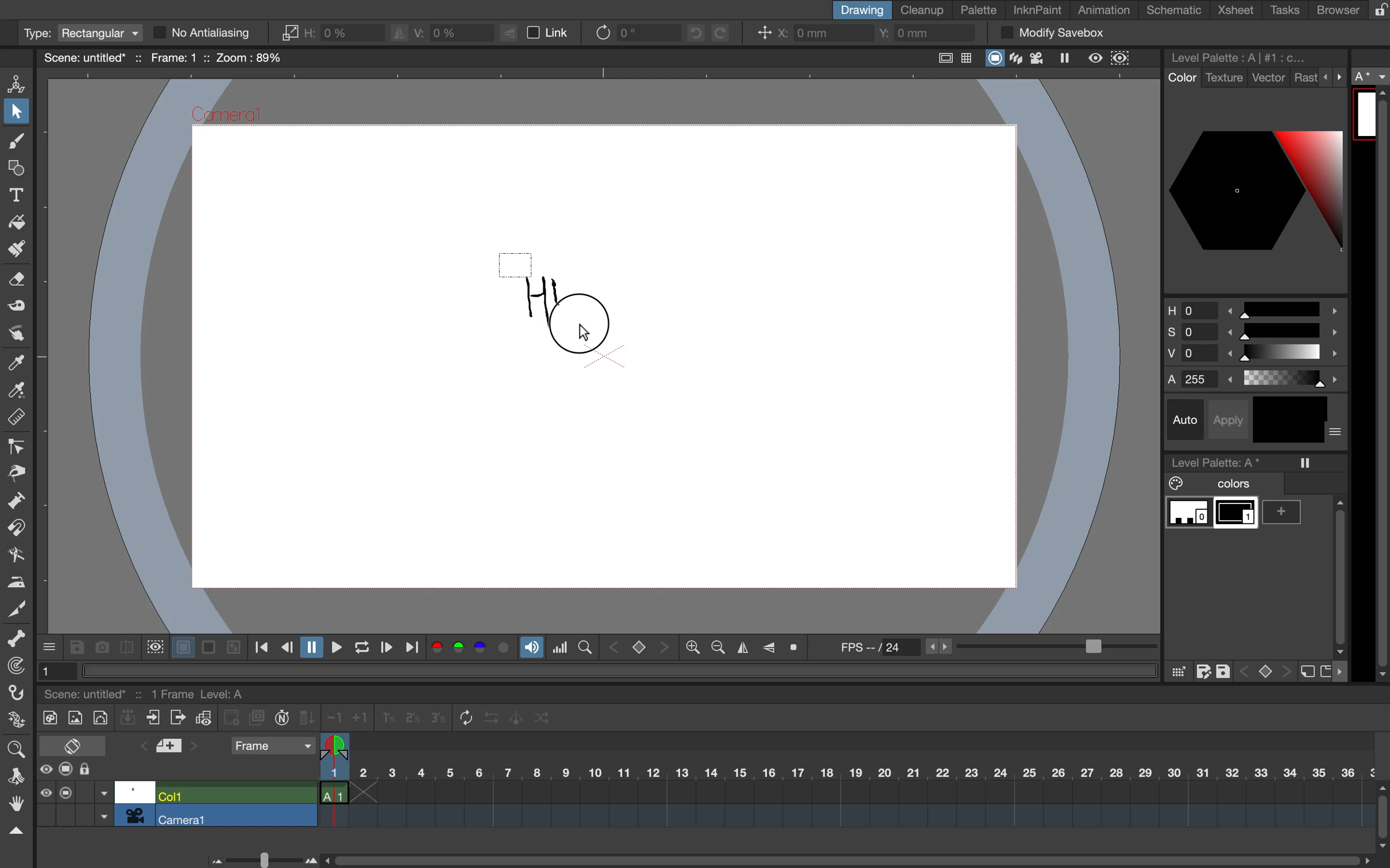 This screenshot has height=868, width=1390. What do you see at coordinates (159, 692) in the screenshot?
I see `scene and scene details` at bounding box center [159, 692].